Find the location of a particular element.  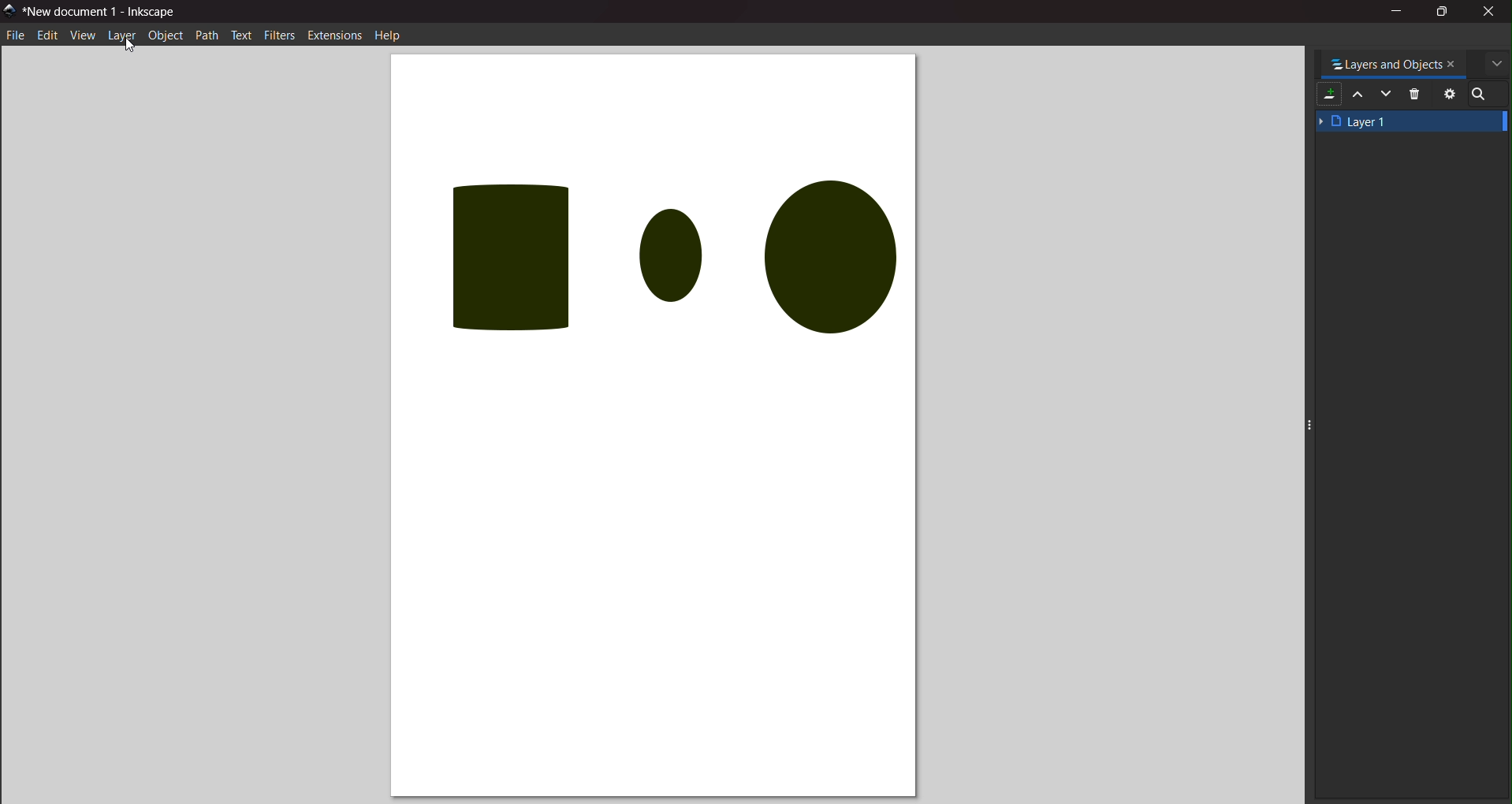

help is located at coordinates (387, 38).